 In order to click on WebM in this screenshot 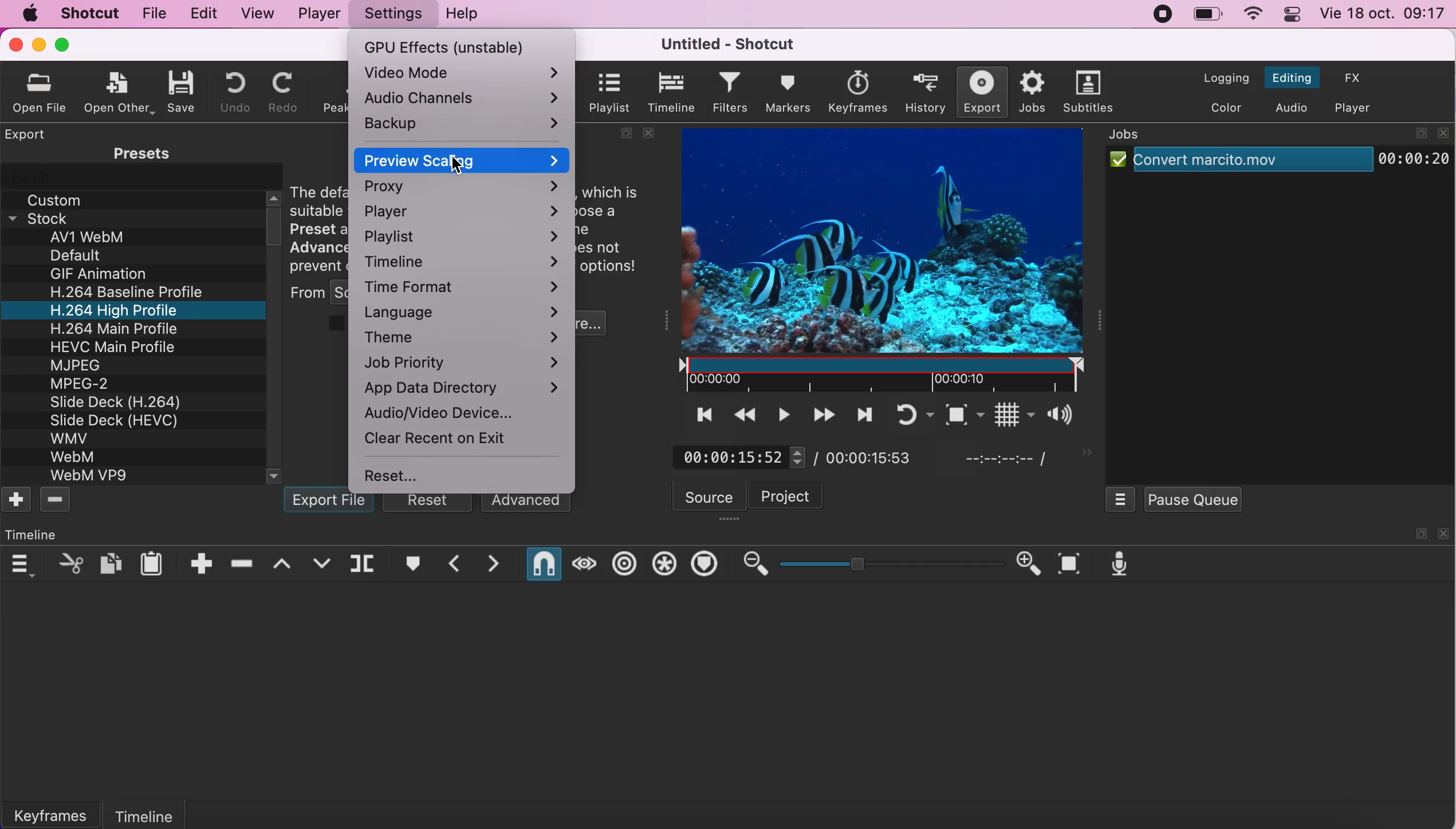, I will do `click(77, 456)`.